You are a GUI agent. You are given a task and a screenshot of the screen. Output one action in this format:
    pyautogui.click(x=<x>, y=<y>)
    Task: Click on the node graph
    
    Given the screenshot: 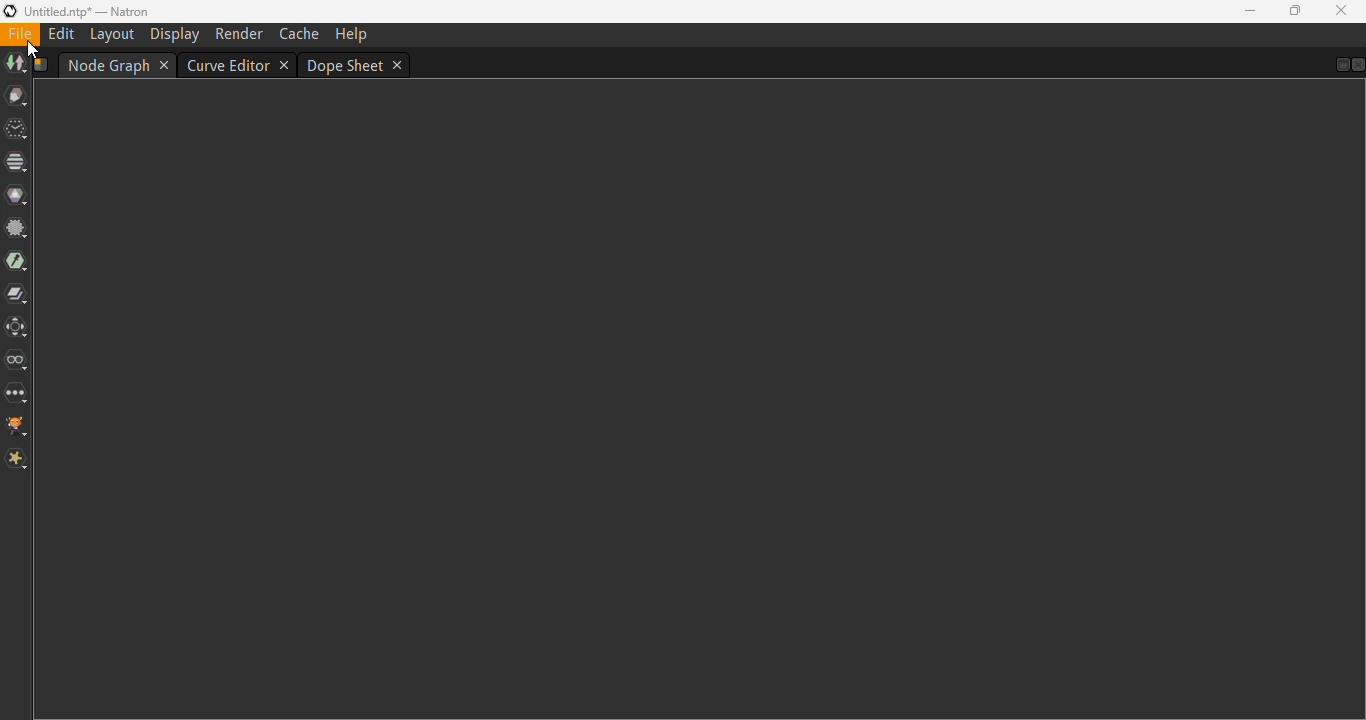 What is the action you would take?
    pyautogui.click(x=108, y=65)
    